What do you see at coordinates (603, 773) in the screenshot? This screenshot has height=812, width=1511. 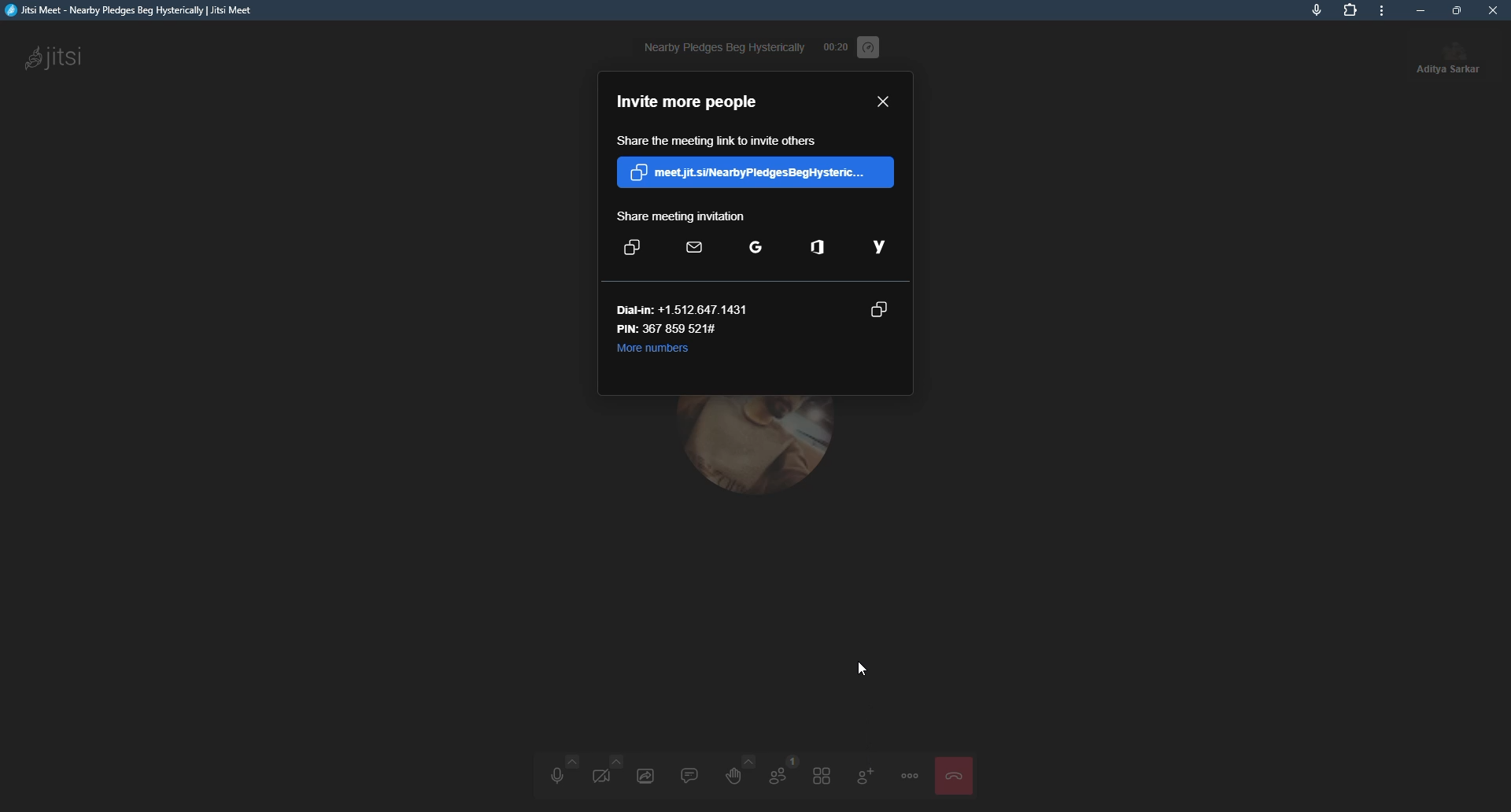 I see `start video` at bounding box center [603, 773].